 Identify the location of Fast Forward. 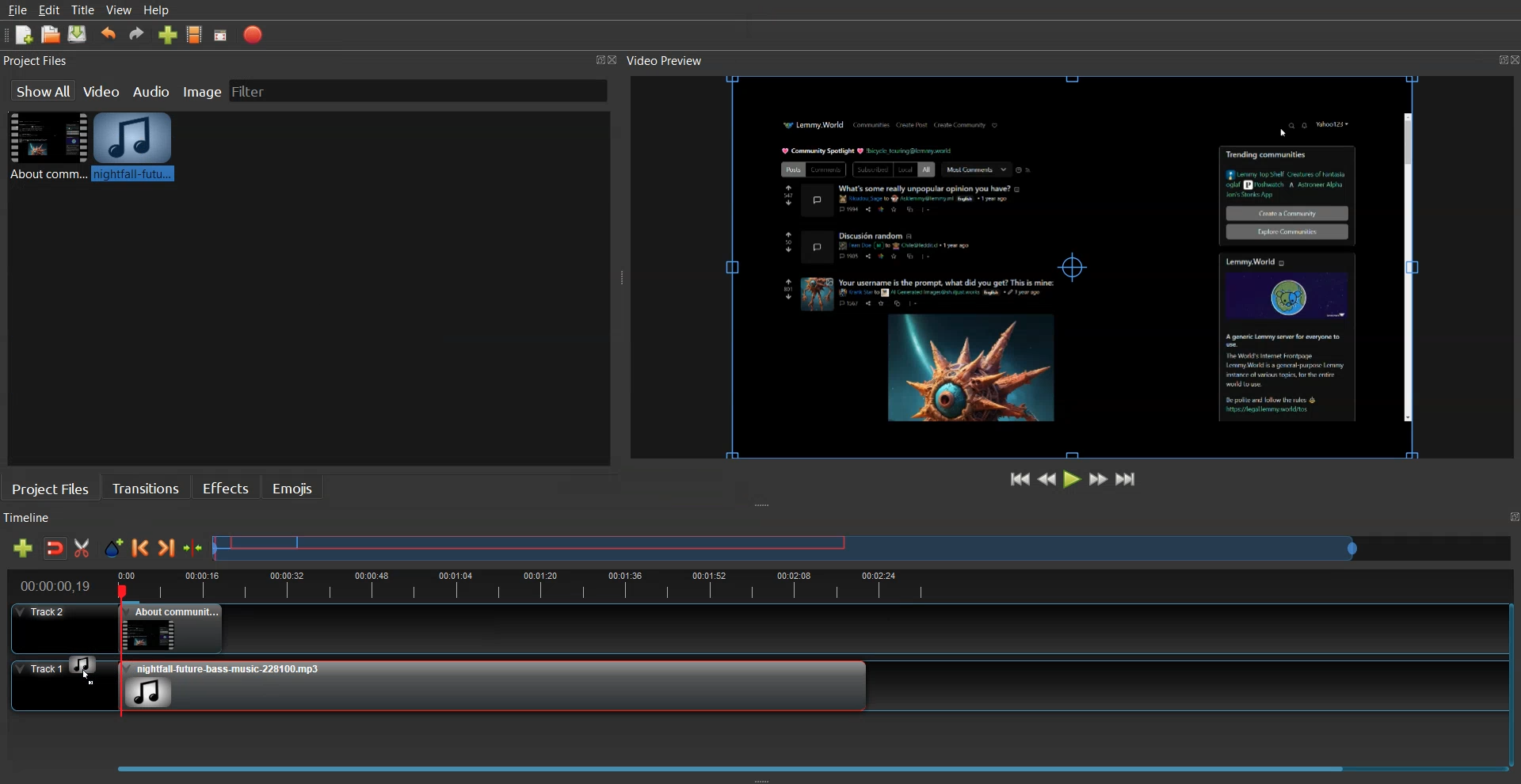
(1099, 478).